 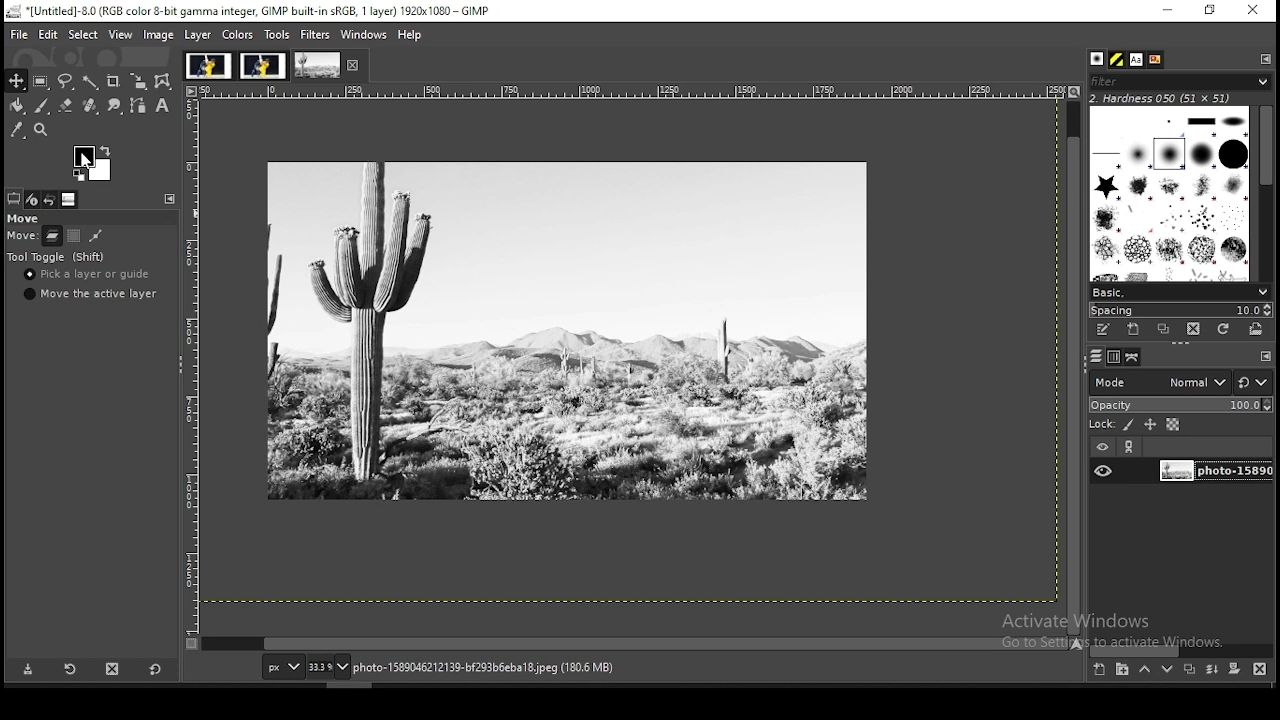 What do you see at coordinates (50, 34) in the screenshot?
I see `edit` at bounding box center [50, 34].